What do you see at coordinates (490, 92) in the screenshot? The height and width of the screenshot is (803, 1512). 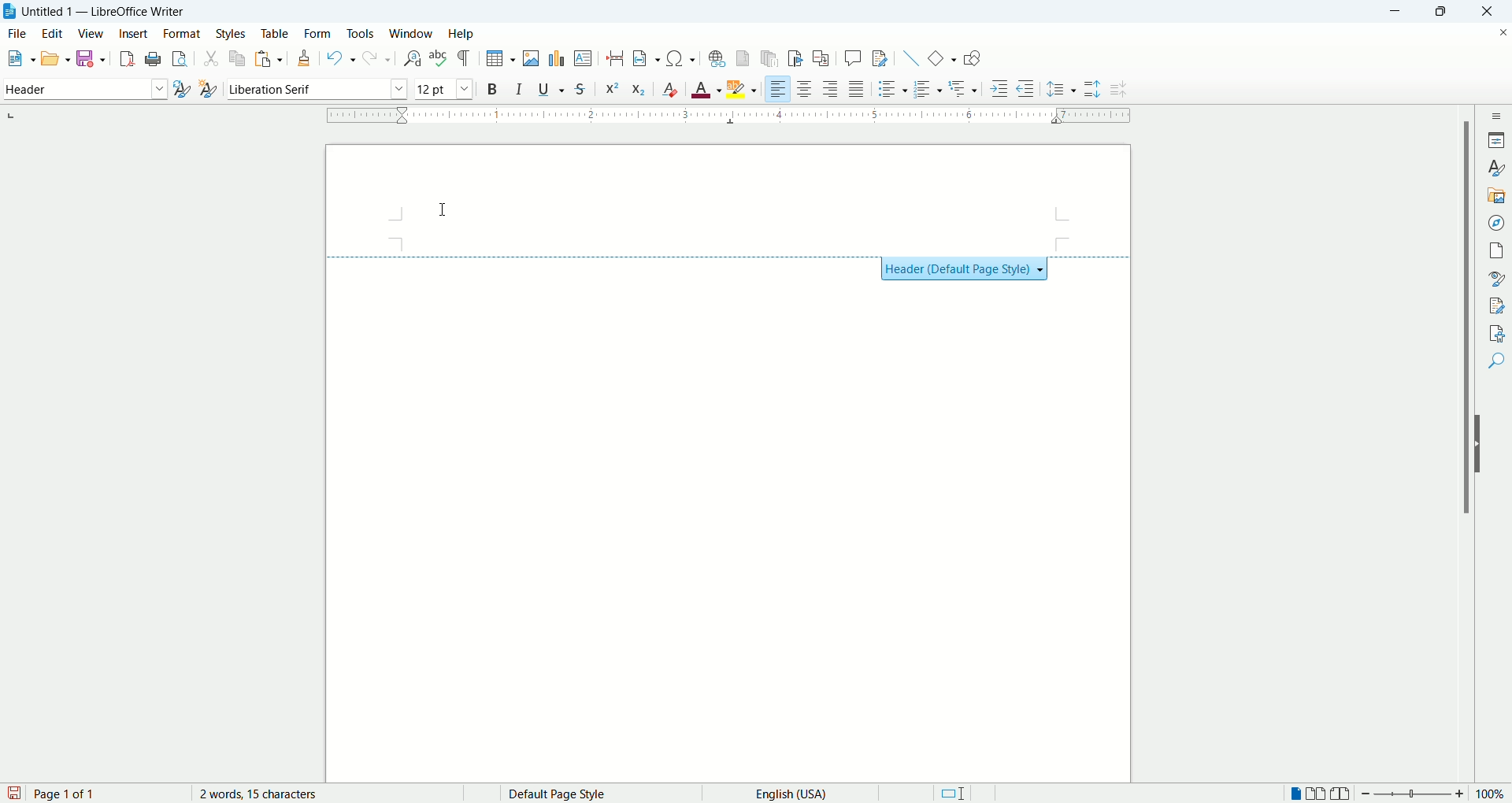 I see `bold` at bounding box center [490, 92].